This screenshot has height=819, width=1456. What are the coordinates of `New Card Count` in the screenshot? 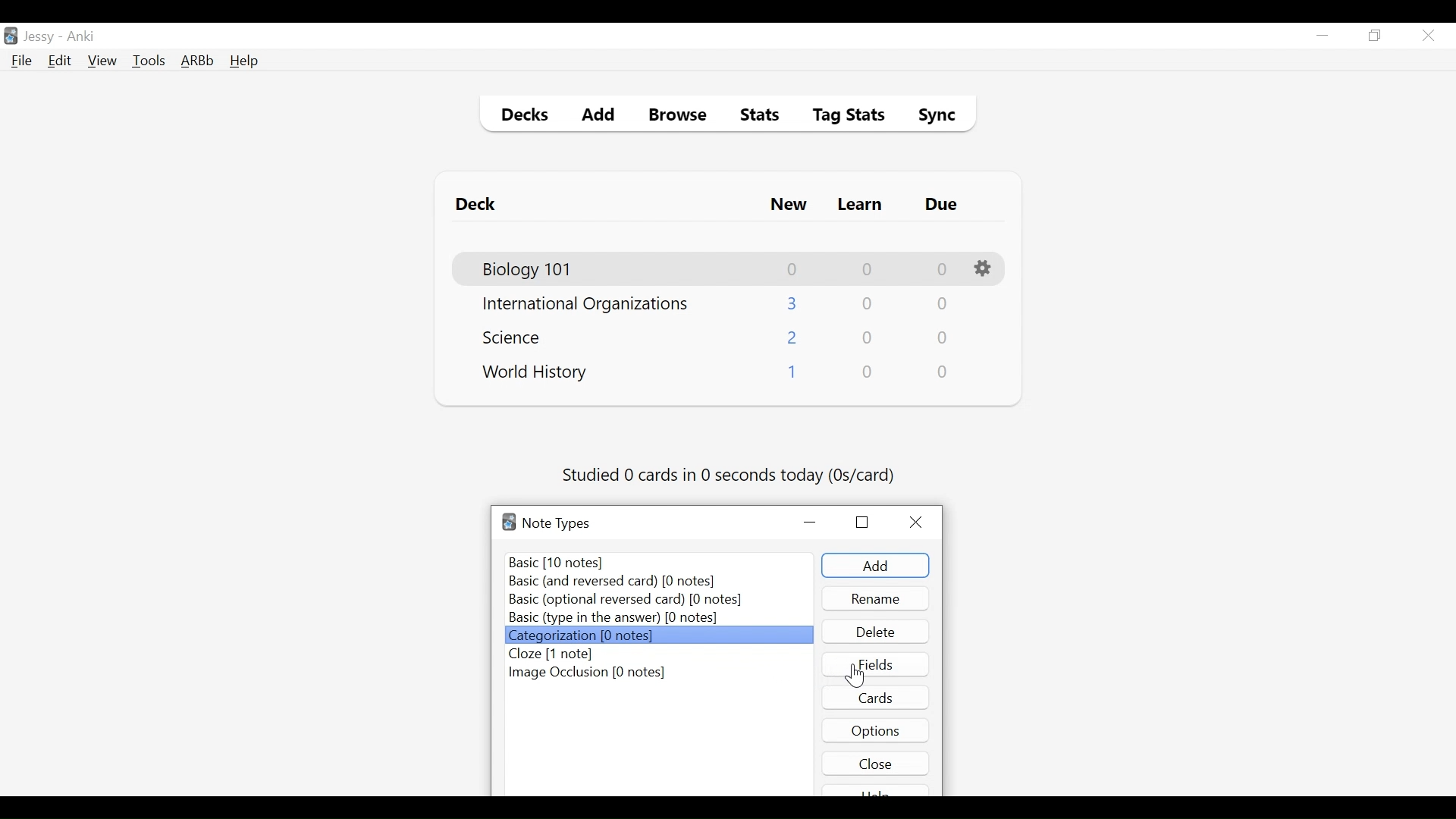 It's located at (791, 375).